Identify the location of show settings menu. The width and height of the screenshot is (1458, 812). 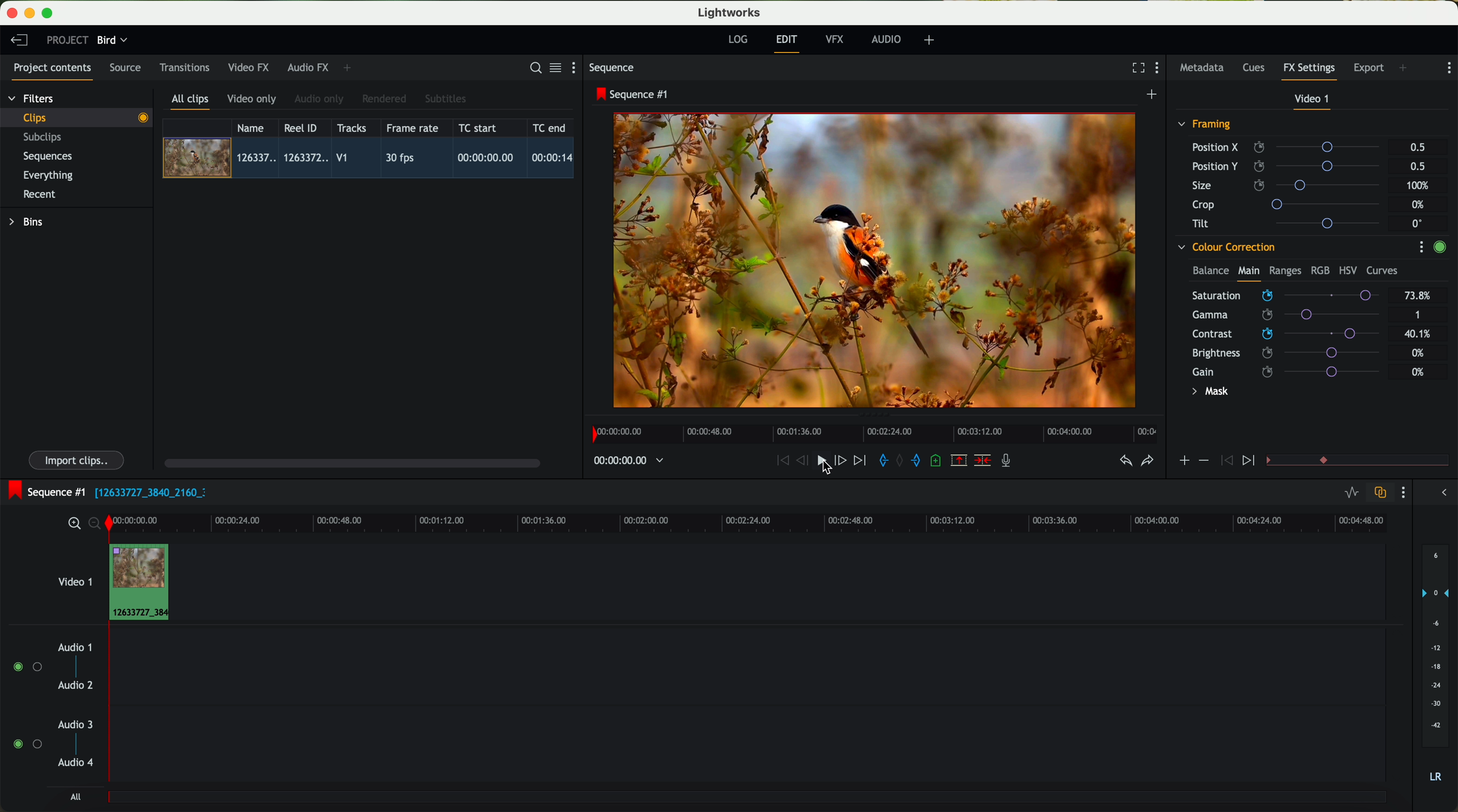
(1448, 68).